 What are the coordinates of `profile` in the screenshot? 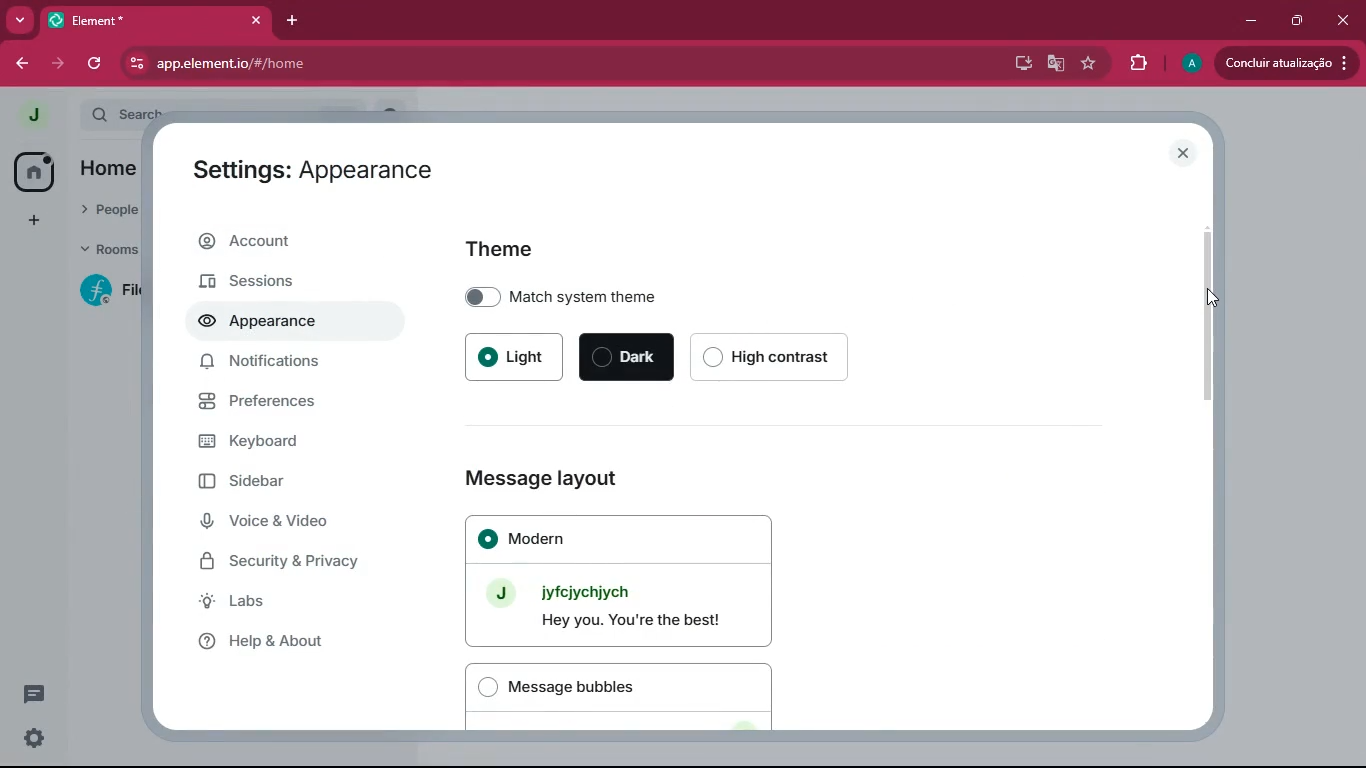 It's located at (35, 115).